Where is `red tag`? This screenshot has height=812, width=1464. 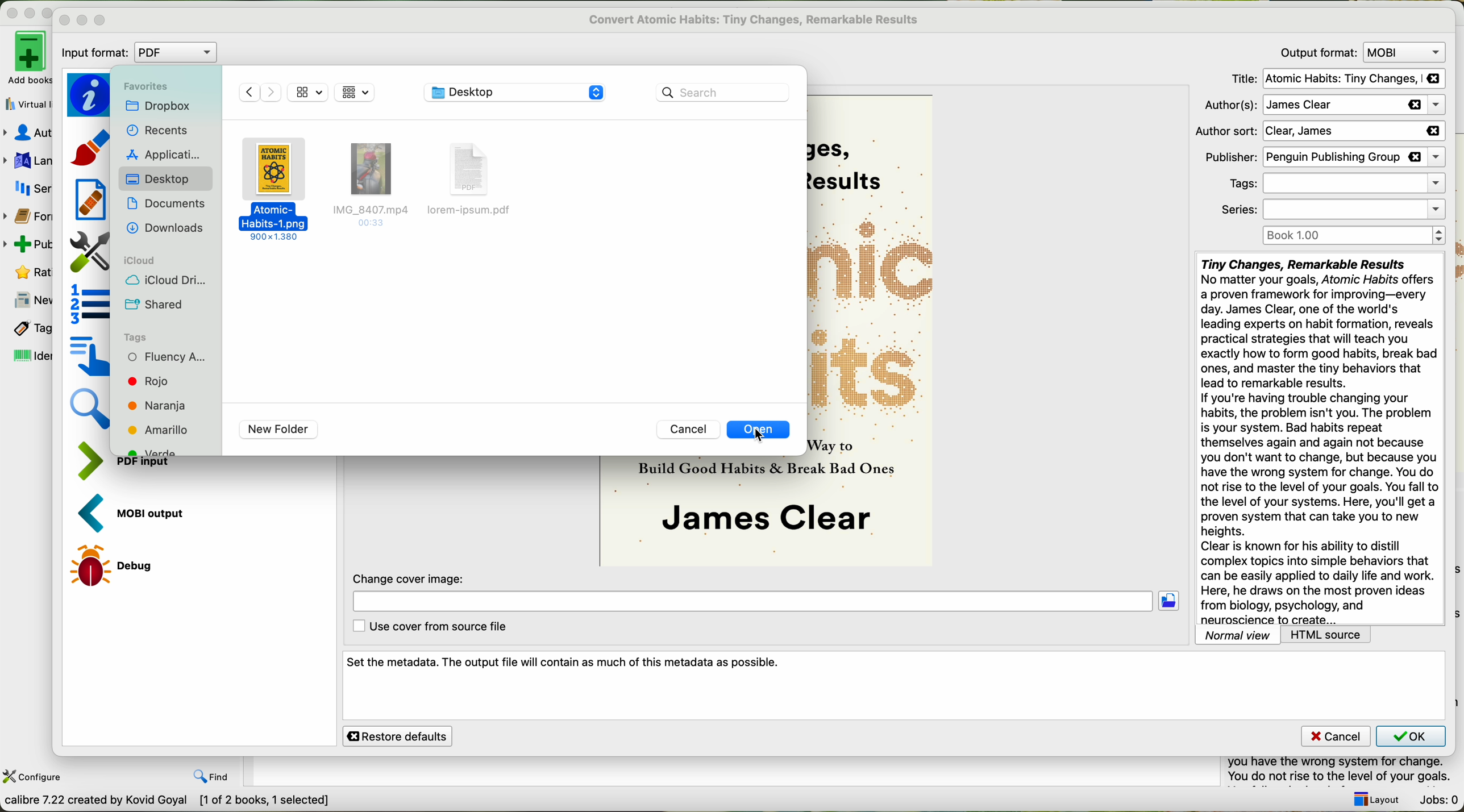 red tag is located at coordinates (148, 380).